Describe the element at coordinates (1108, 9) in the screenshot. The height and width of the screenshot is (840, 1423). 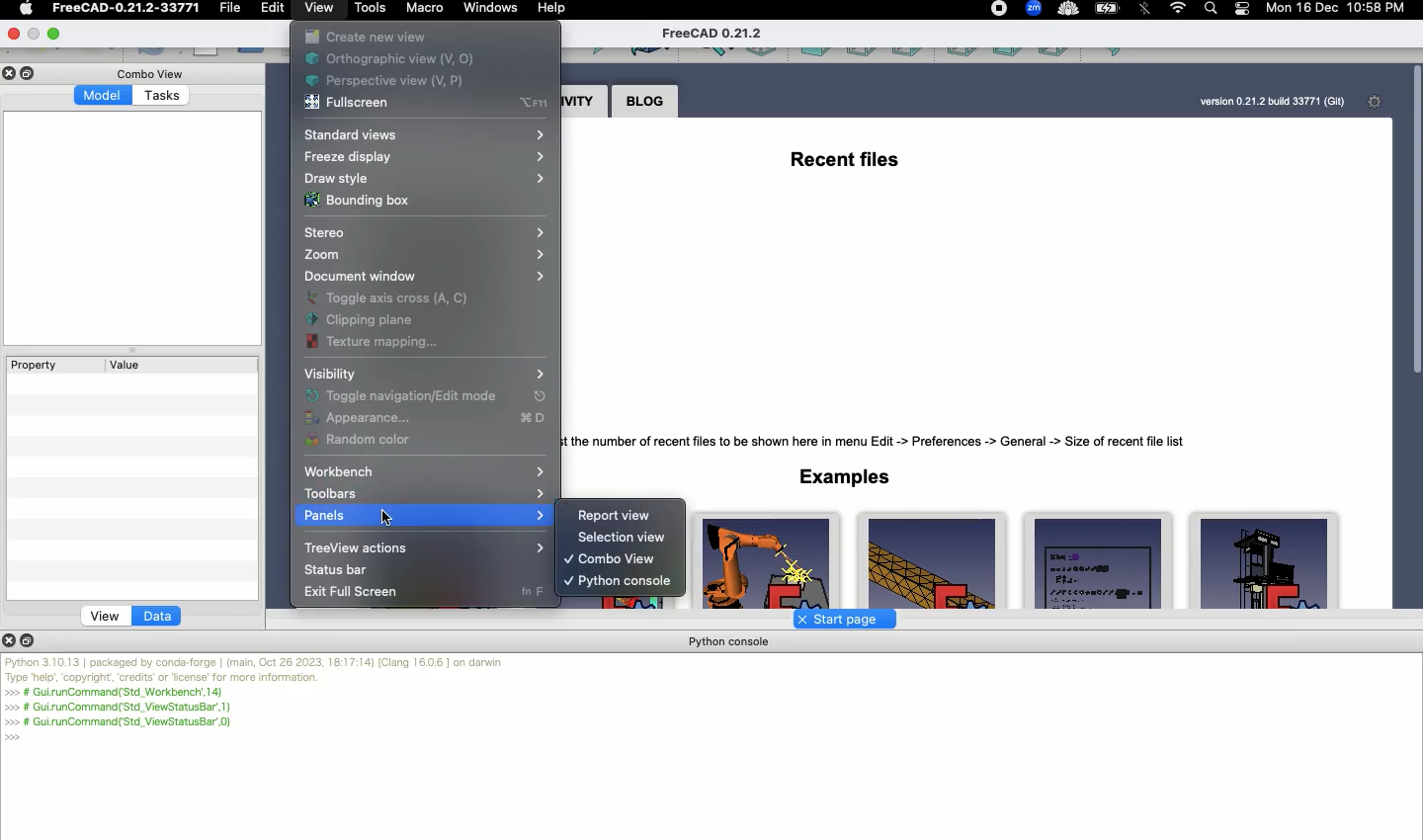
I see `Charge` at that location.